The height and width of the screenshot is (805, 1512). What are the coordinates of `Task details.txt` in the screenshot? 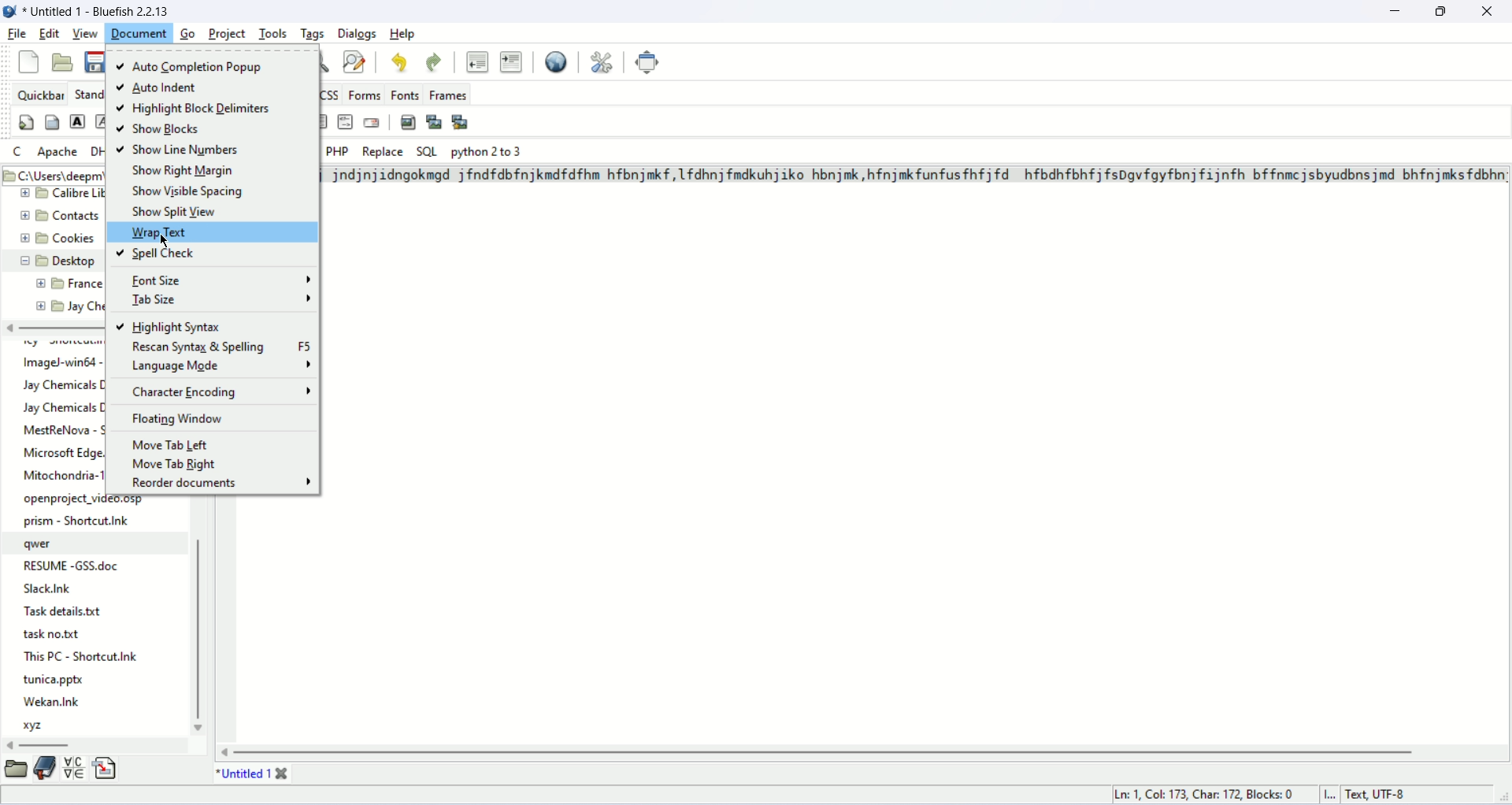 It's located at (67, 612).